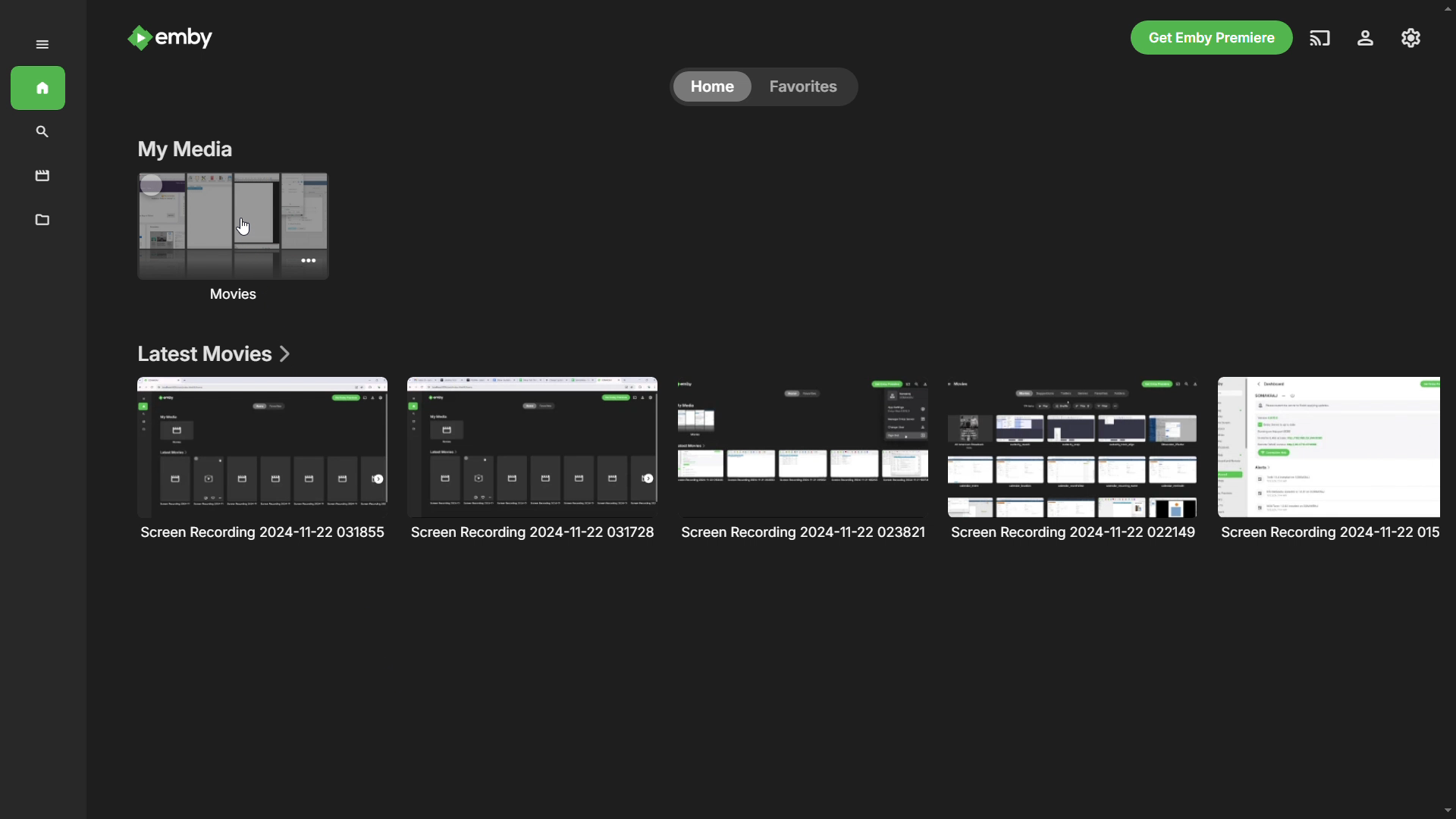 This screenshot has width=1456, height=819. What do you see at coordinates (39, 87) in the screenshot?
I see `home` at bounding box center [39, 87].